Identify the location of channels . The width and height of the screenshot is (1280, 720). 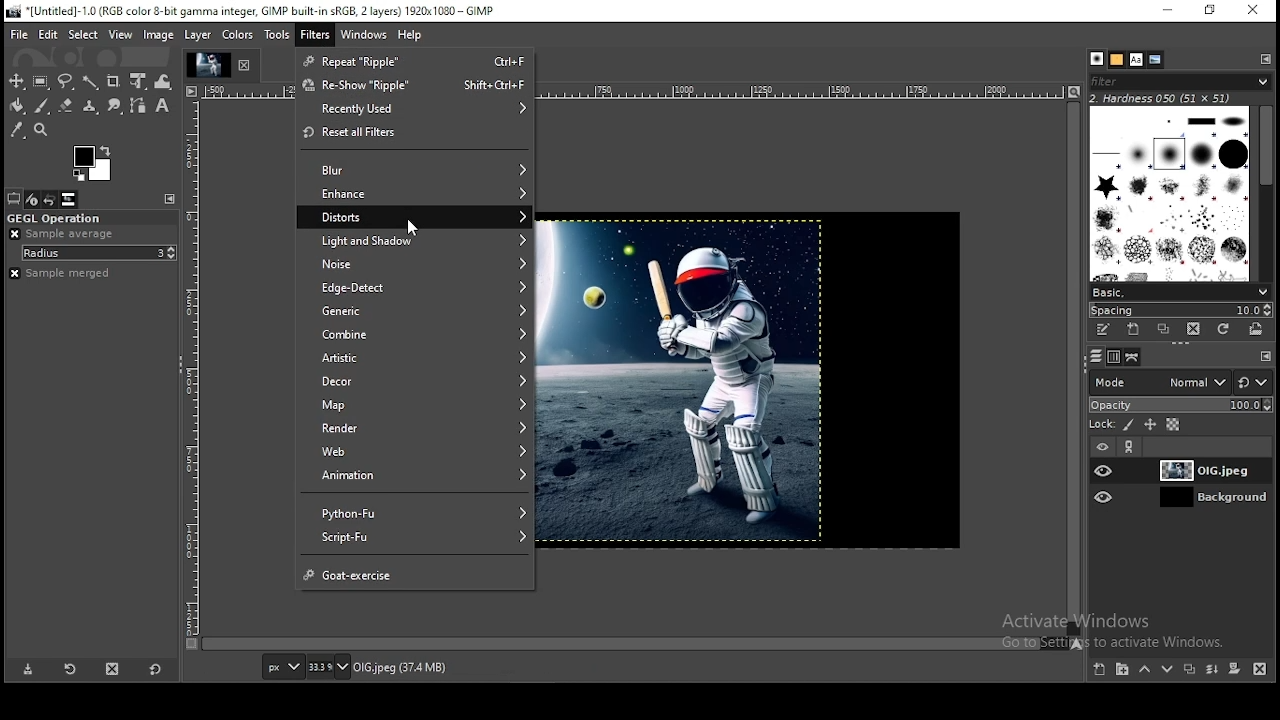
(1115, 357).